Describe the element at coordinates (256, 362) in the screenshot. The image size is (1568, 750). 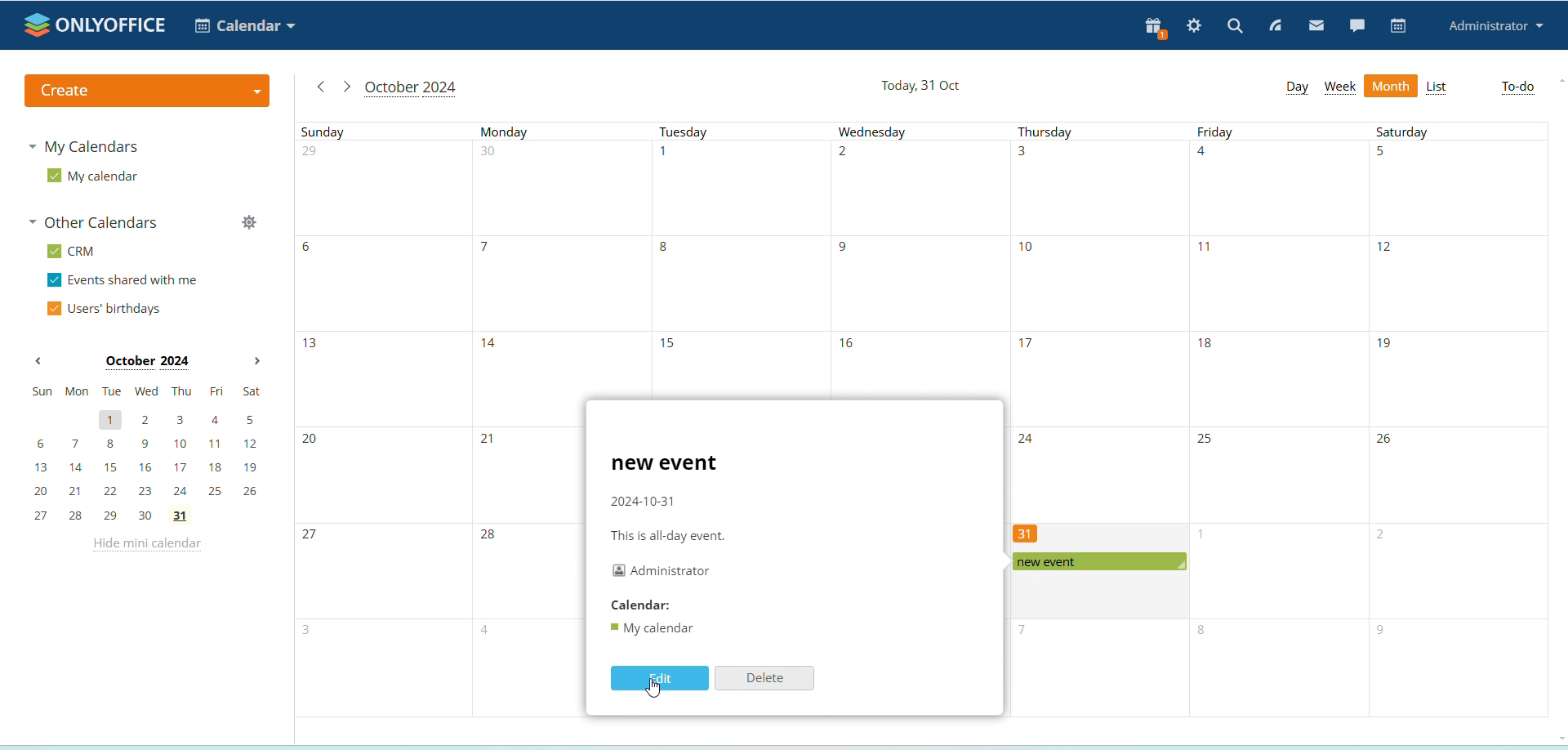
I see `next month` at that location.